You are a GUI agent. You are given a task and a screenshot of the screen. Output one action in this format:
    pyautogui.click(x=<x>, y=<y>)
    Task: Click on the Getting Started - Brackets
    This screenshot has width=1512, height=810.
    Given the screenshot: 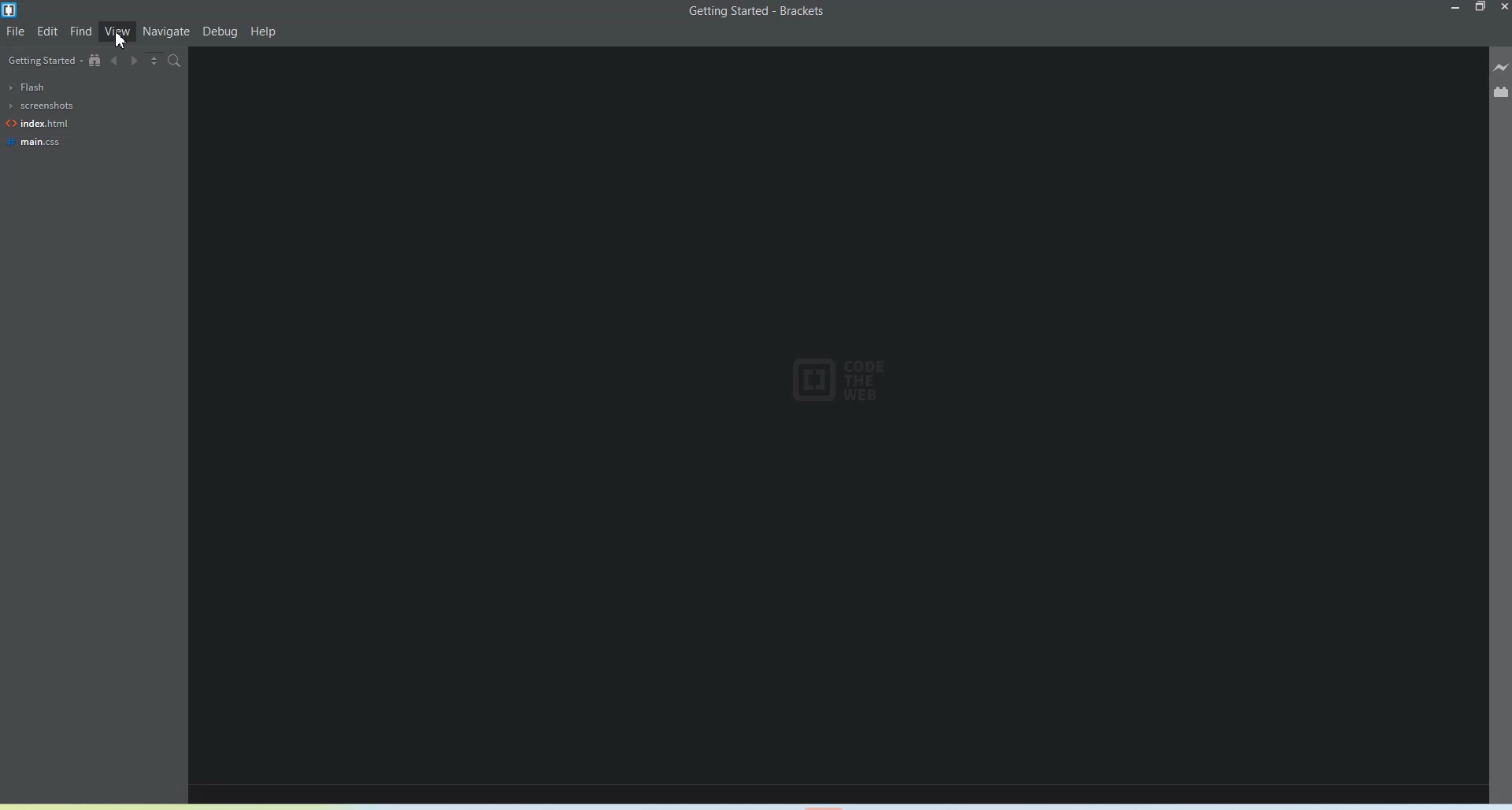 What is the action you would take?
    pyautogui.click(x=758, y=12)
    